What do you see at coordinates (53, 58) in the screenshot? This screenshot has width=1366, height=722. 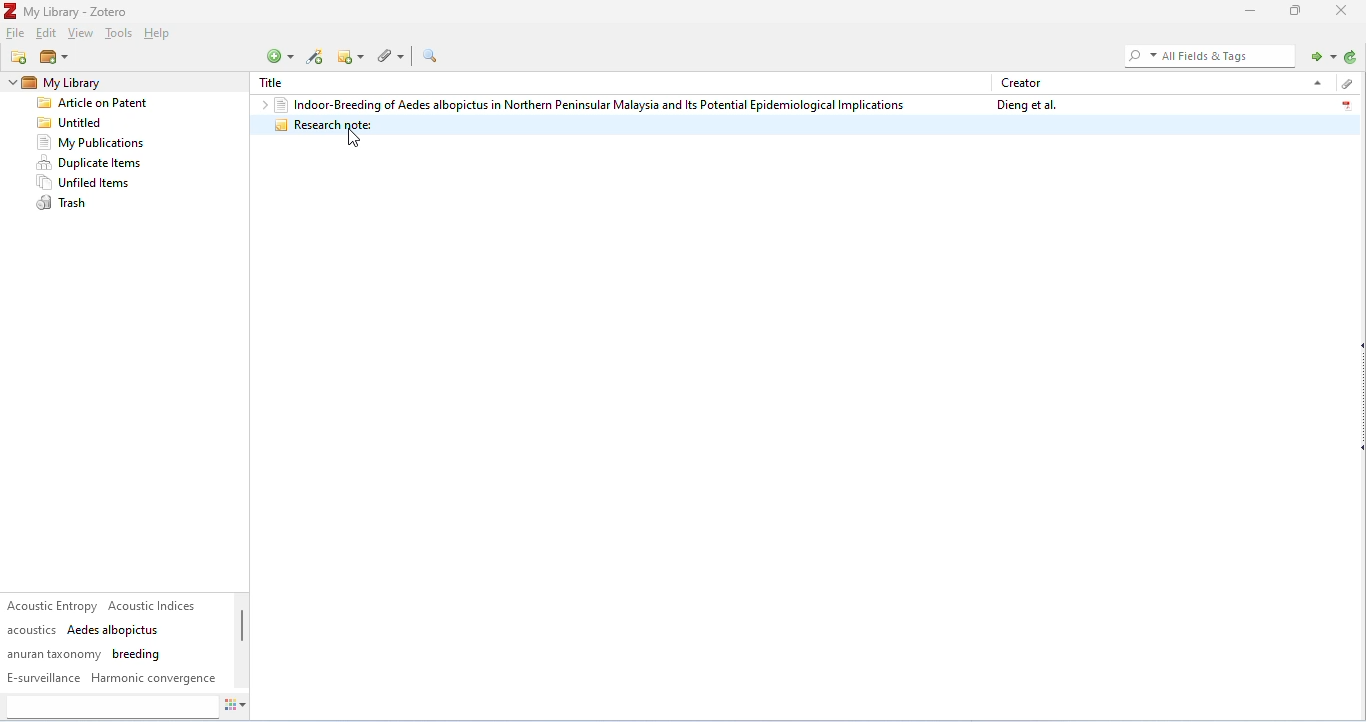 I see `new library` at bounding box center [53, 58].